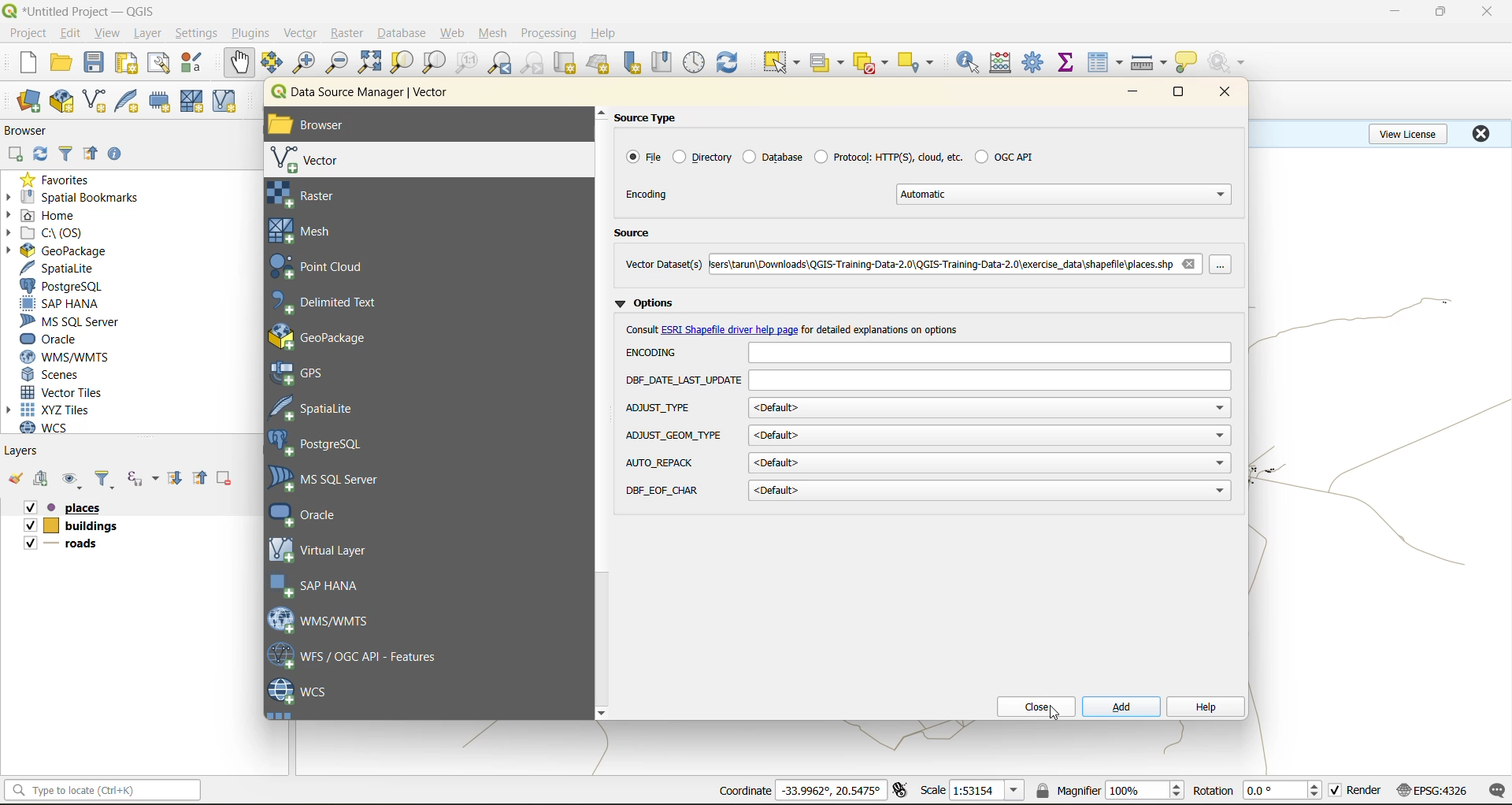  Describe the element at coordinates (695, 63) in the screenshot. I see `control panel` at that location.